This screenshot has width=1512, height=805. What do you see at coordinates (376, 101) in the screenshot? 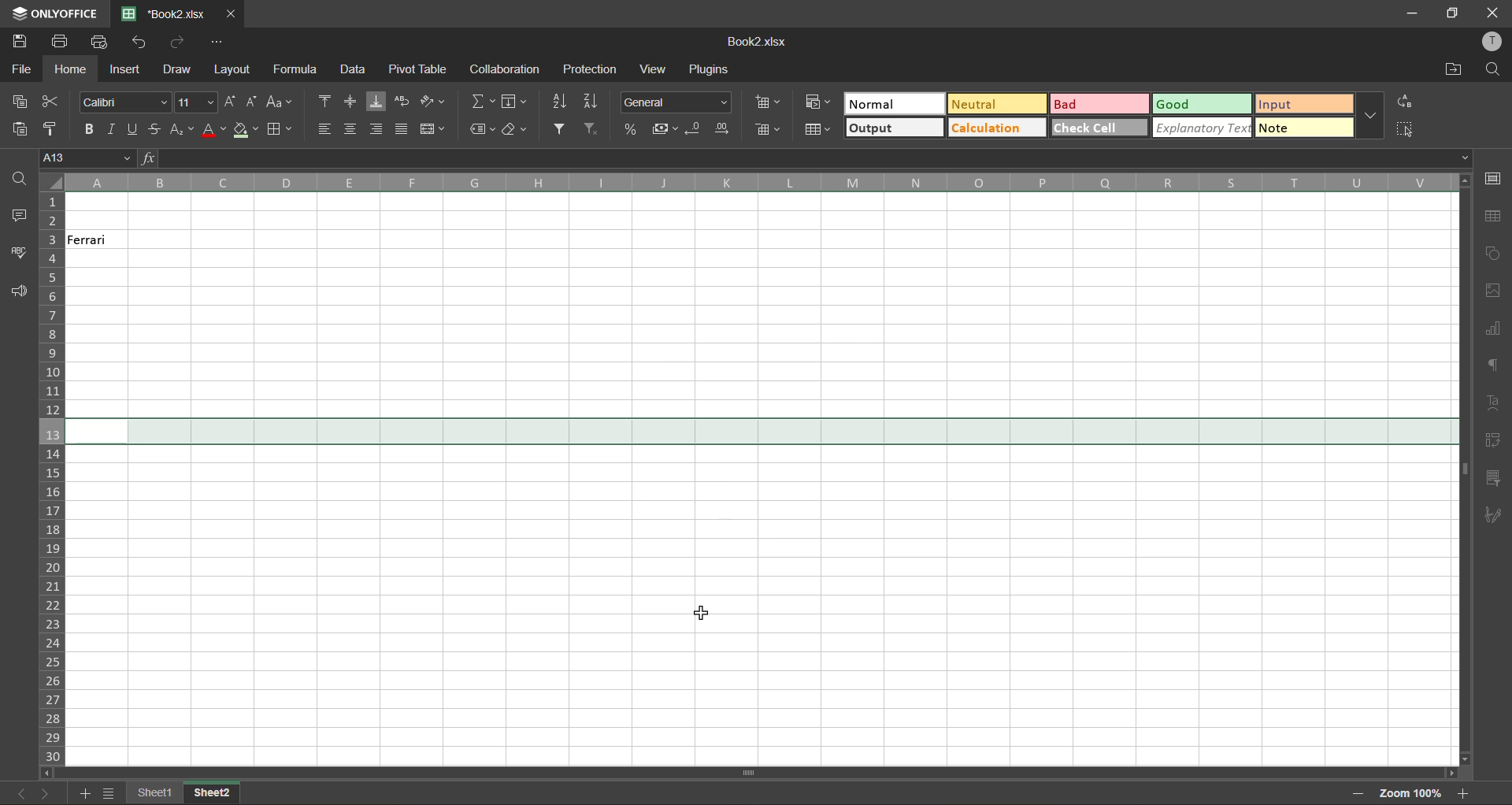
I see `align bottom` at bounding box center [376, 101].